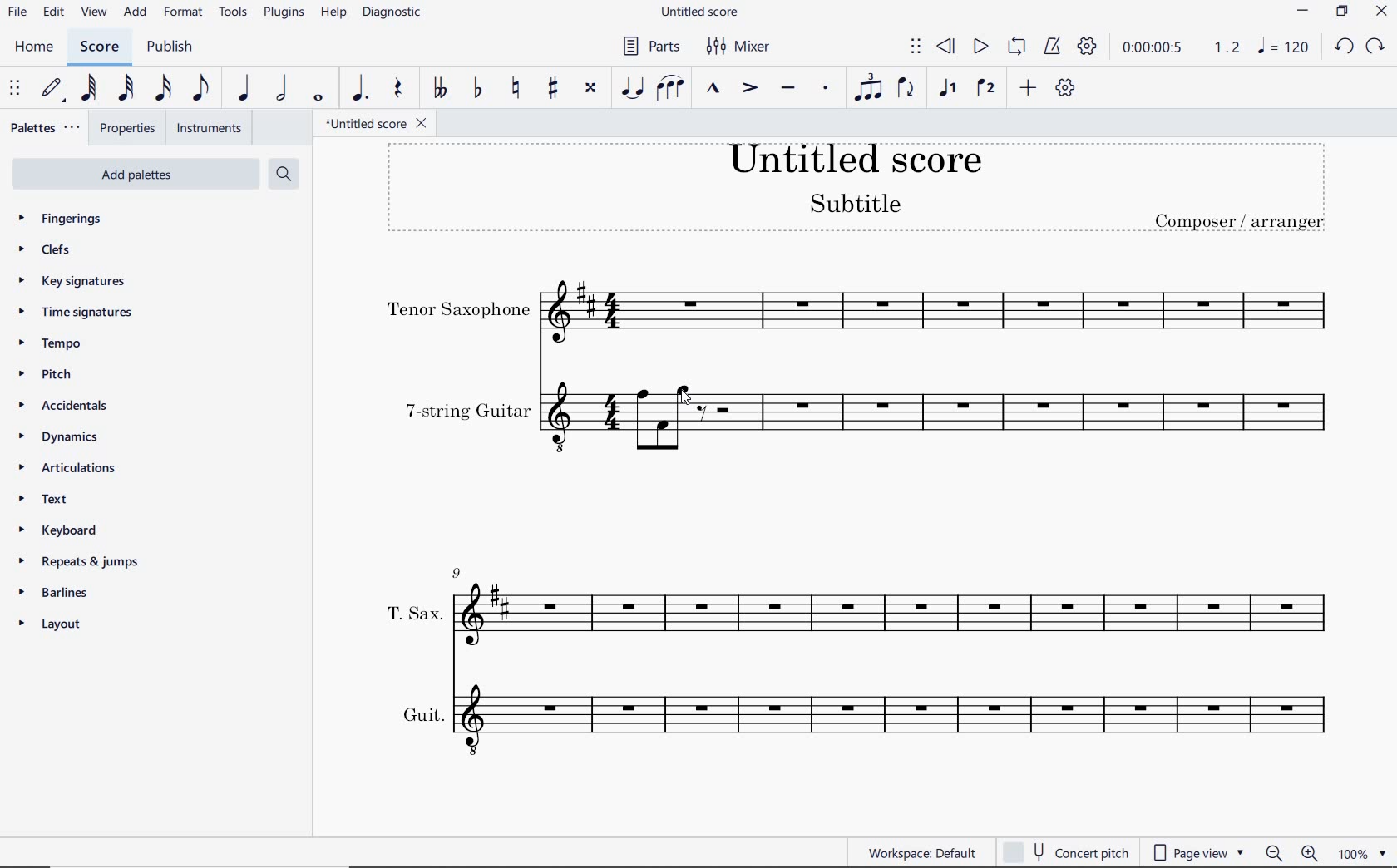  What do you see at coordinates (1087, 47) in the screenshot?
I see `PLAYBACK SETTINGS` at bounding box center [1087, 47].